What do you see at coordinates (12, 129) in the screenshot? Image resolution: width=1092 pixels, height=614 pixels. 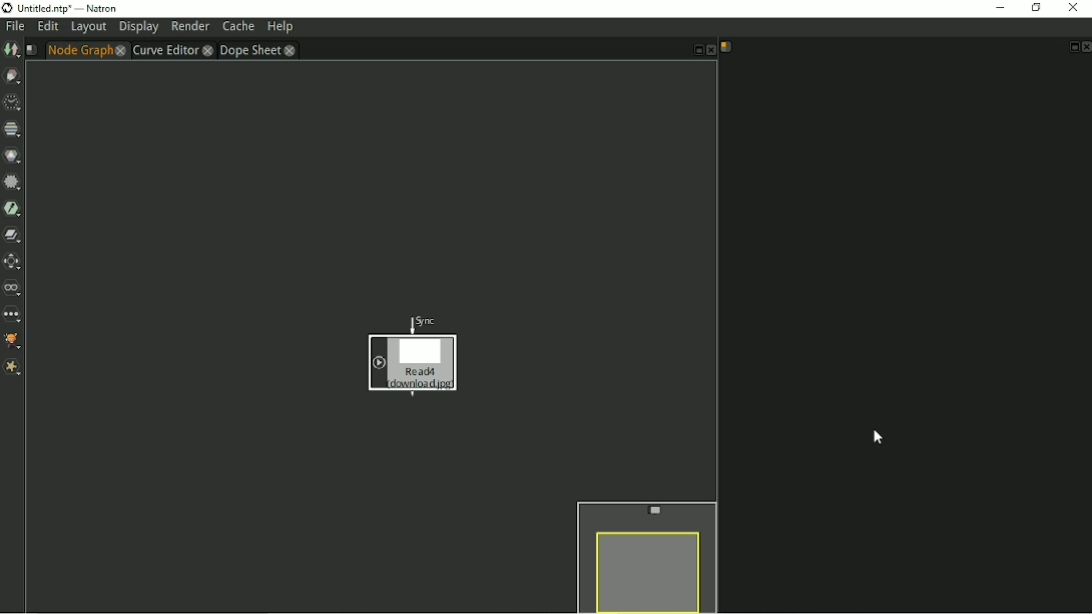 I see `Channel` at bounding box center [12, 129].